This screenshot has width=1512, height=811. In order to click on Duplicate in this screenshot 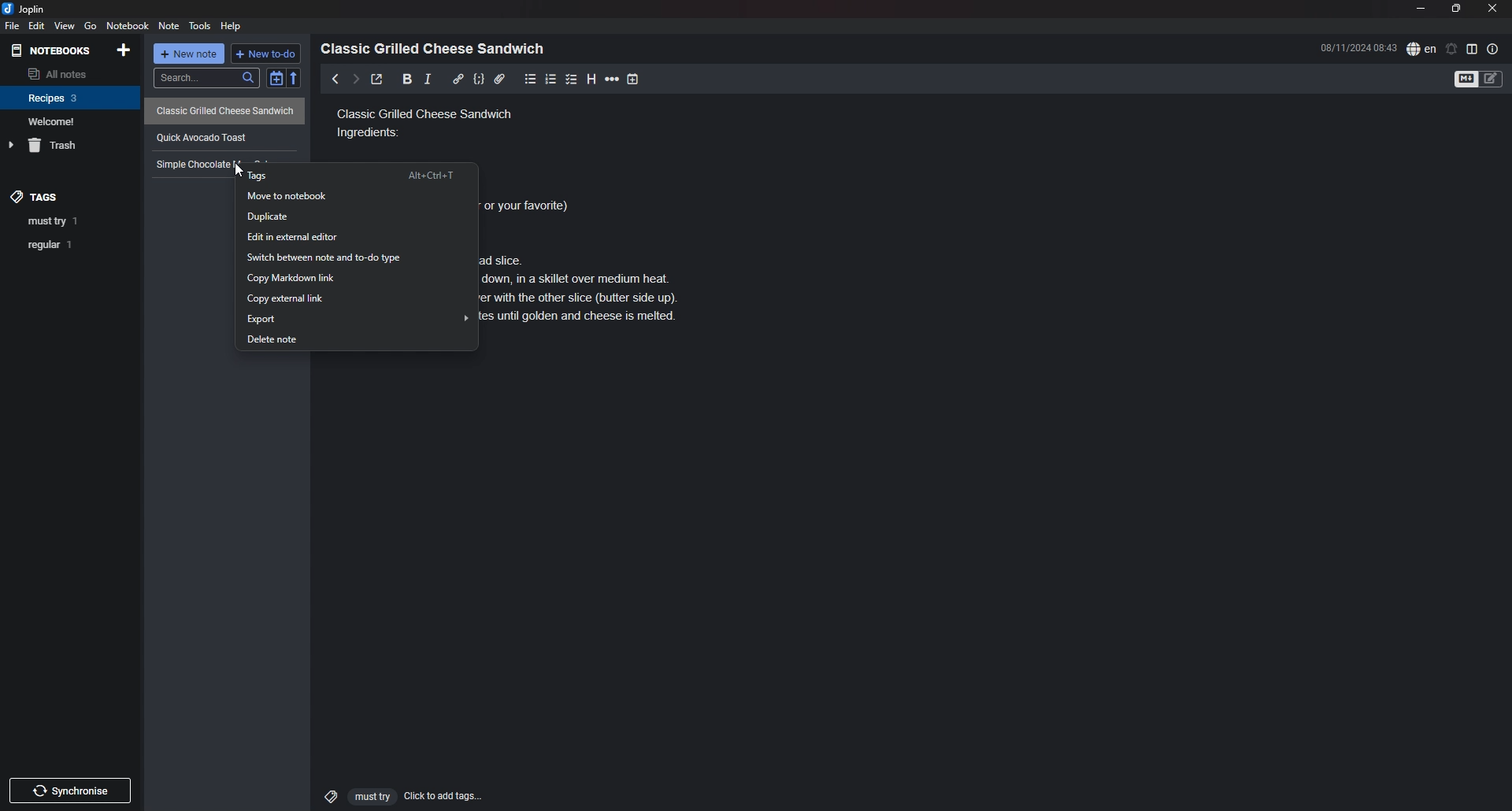, I will do `click(351, 217)`.